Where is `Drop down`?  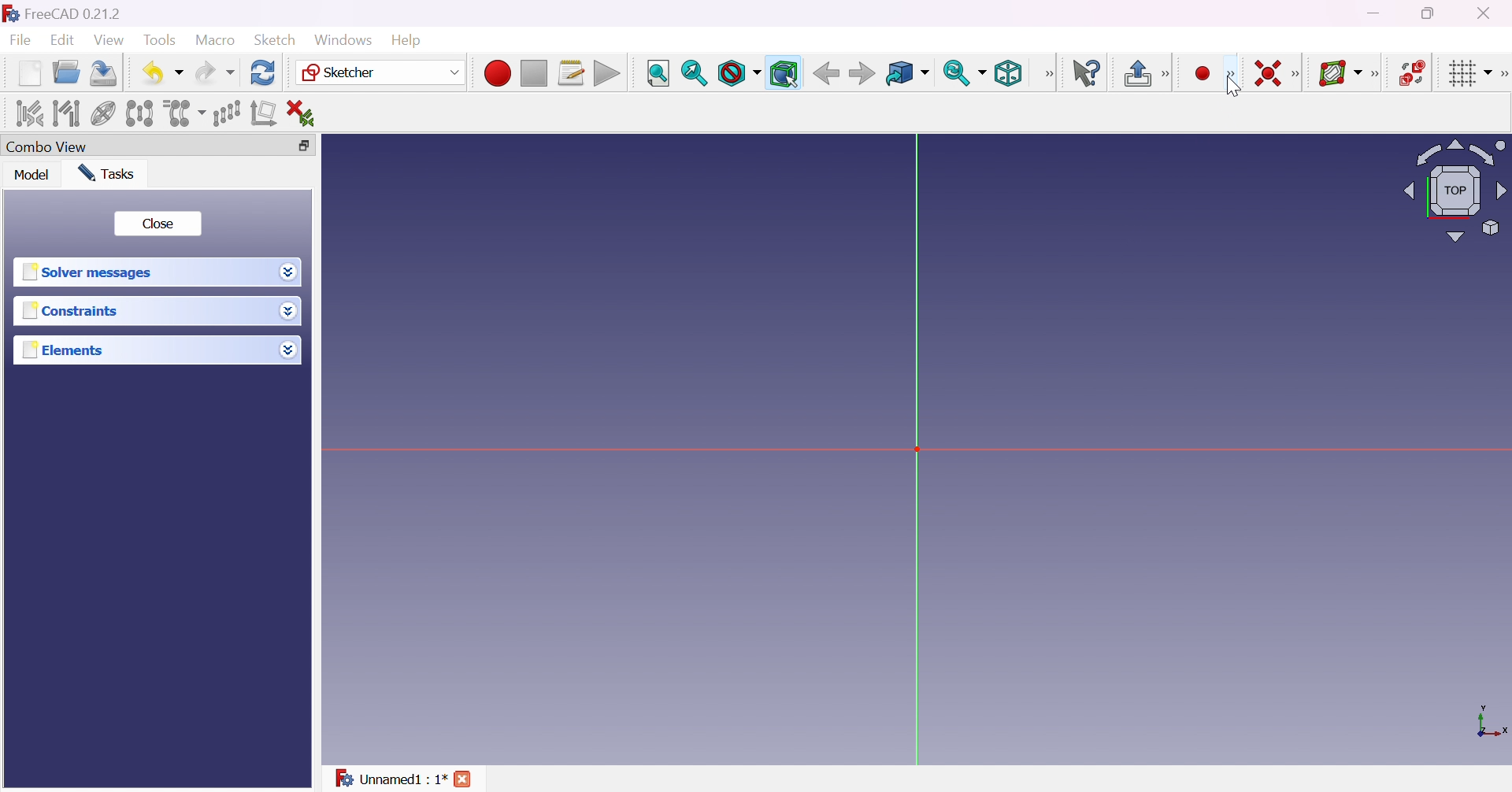
Drop down is located at coordinates (288, 350).